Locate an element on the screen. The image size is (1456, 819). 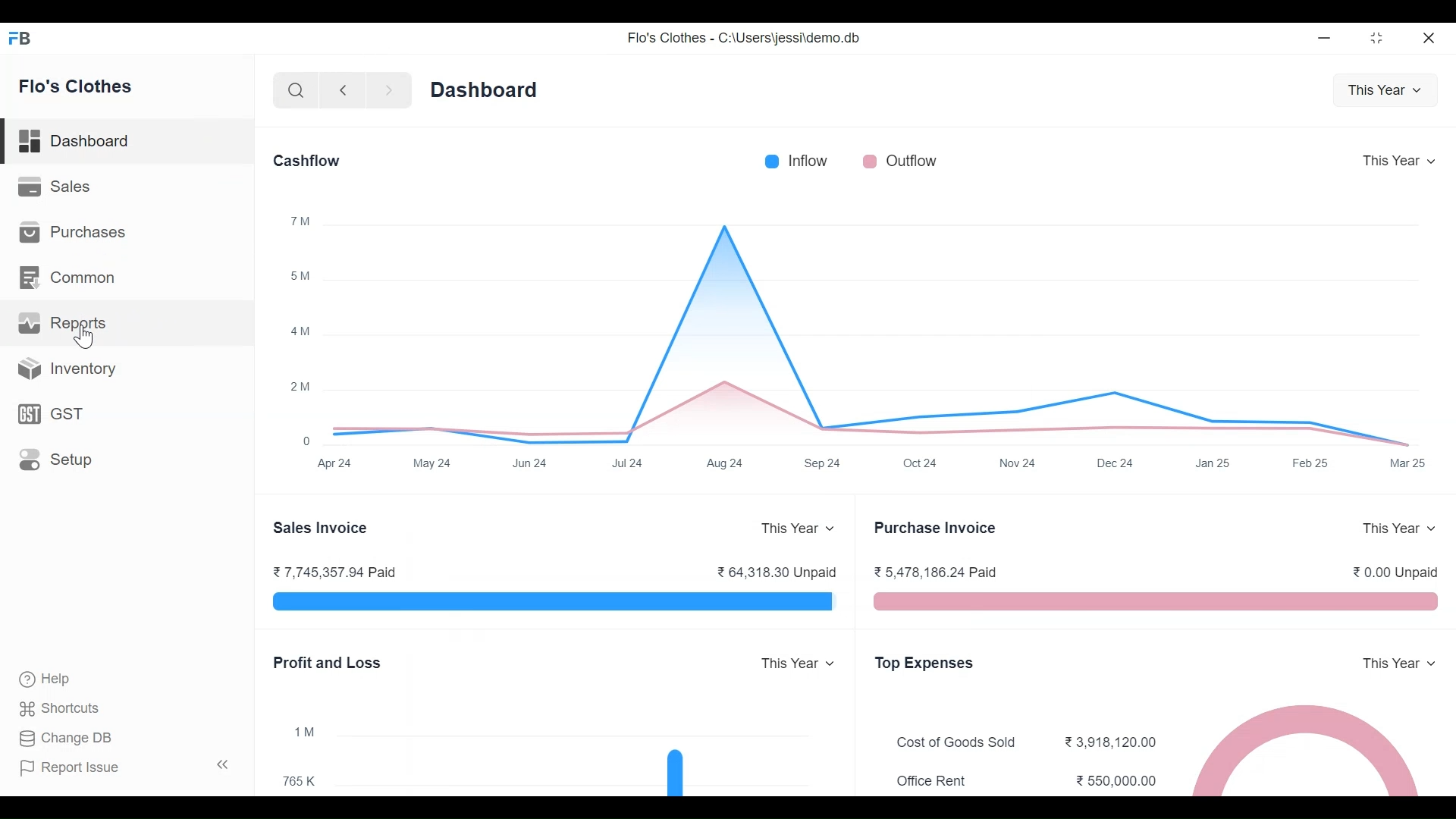
7,745,357.94 Paid is located at coordinates (335, 573).